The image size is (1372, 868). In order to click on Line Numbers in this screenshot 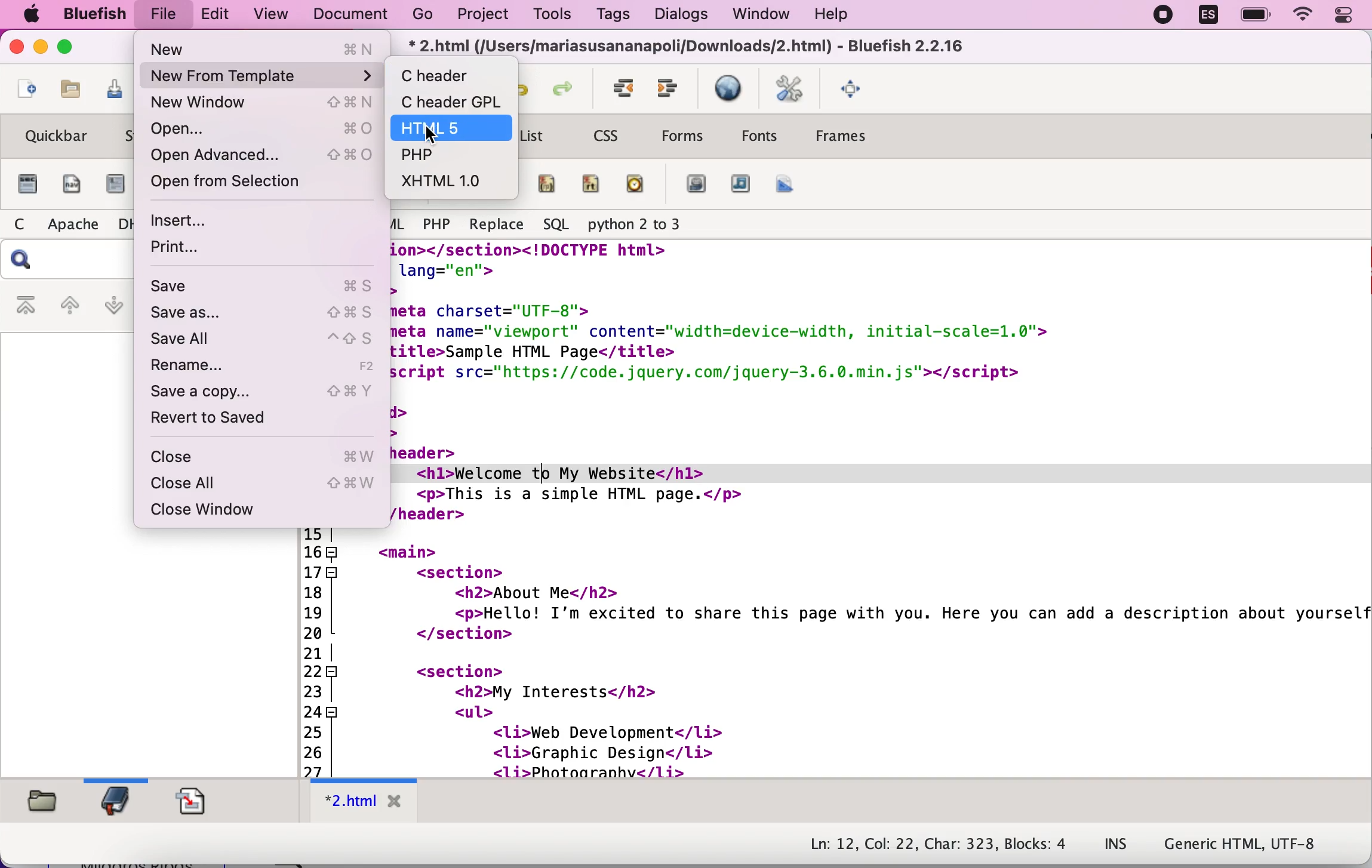, I will do `click(317, 652)`.